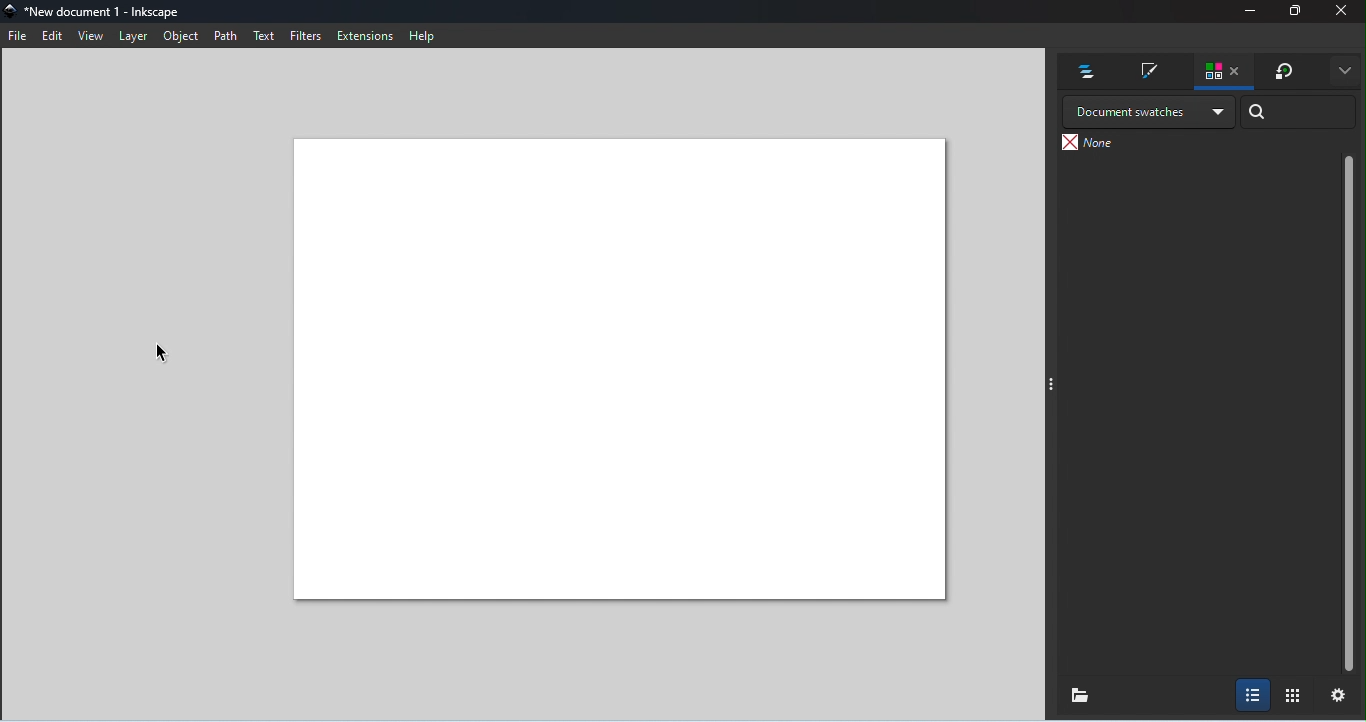 This screenshot has height=722, width=1366. Describe the element at coordinates (159, 349) in the screenshot. I see `Cursor` at that location.